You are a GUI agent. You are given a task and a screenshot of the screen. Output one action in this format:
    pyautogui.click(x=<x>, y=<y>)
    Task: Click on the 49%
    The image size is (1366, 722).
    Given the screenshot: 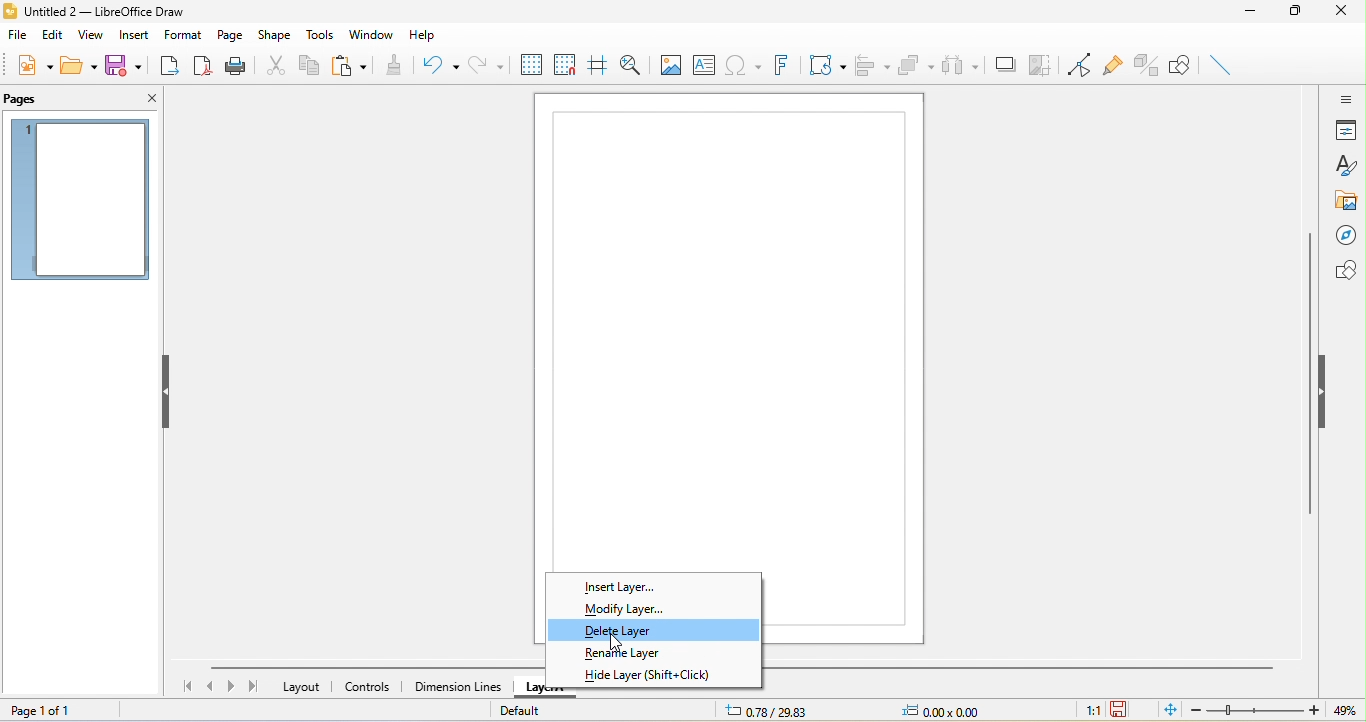 What is the action you would take?
    pyautogui.click(x=1346, y=710)
    